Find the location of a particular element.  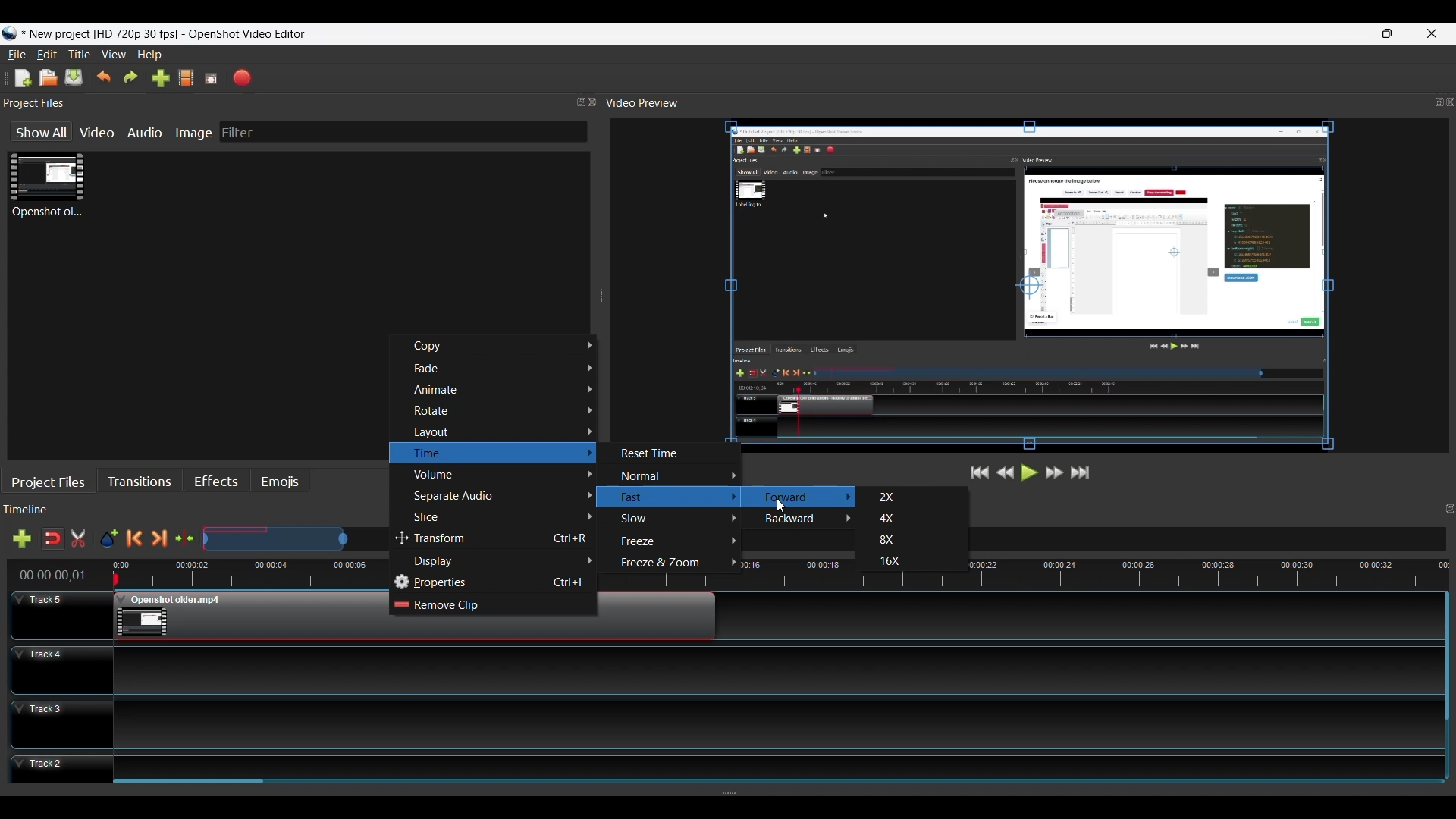

Reset Time is located at coordinates (657, 454).